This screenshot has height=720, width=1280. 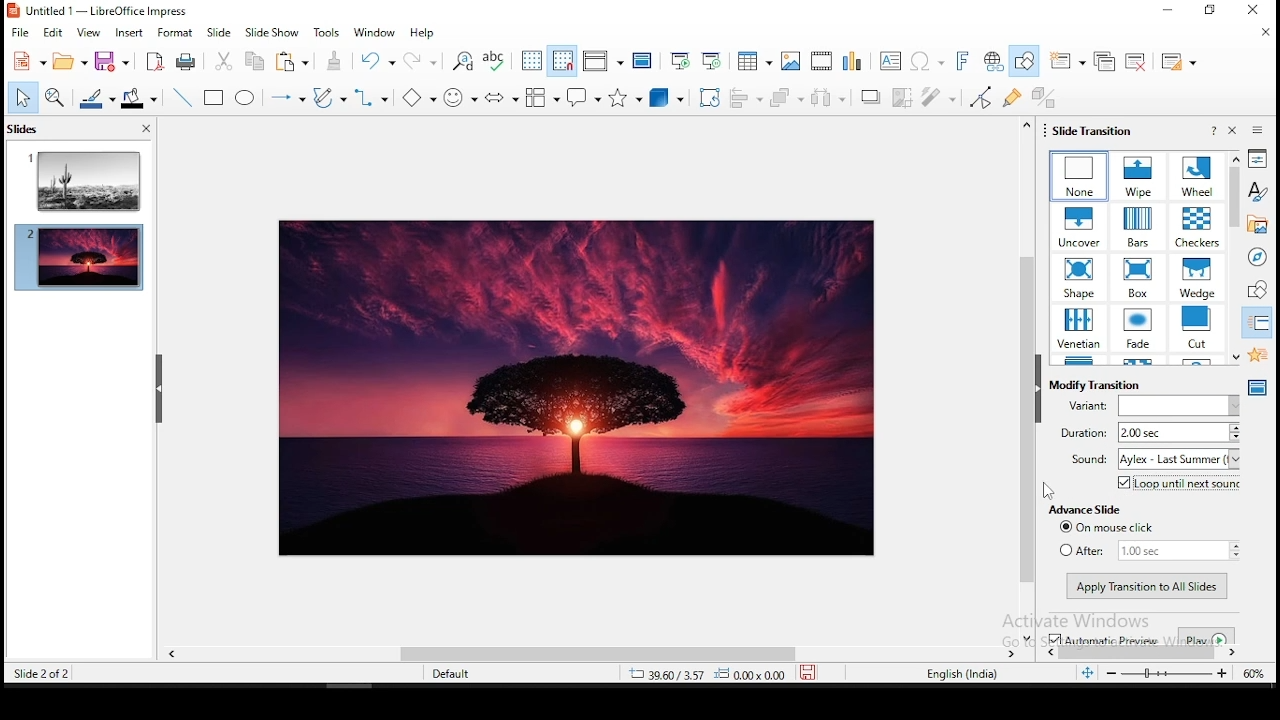 What do you see at coordinates (215, 98) in the screenshot?
I see `rectangle` at bounding box center [215, 98].